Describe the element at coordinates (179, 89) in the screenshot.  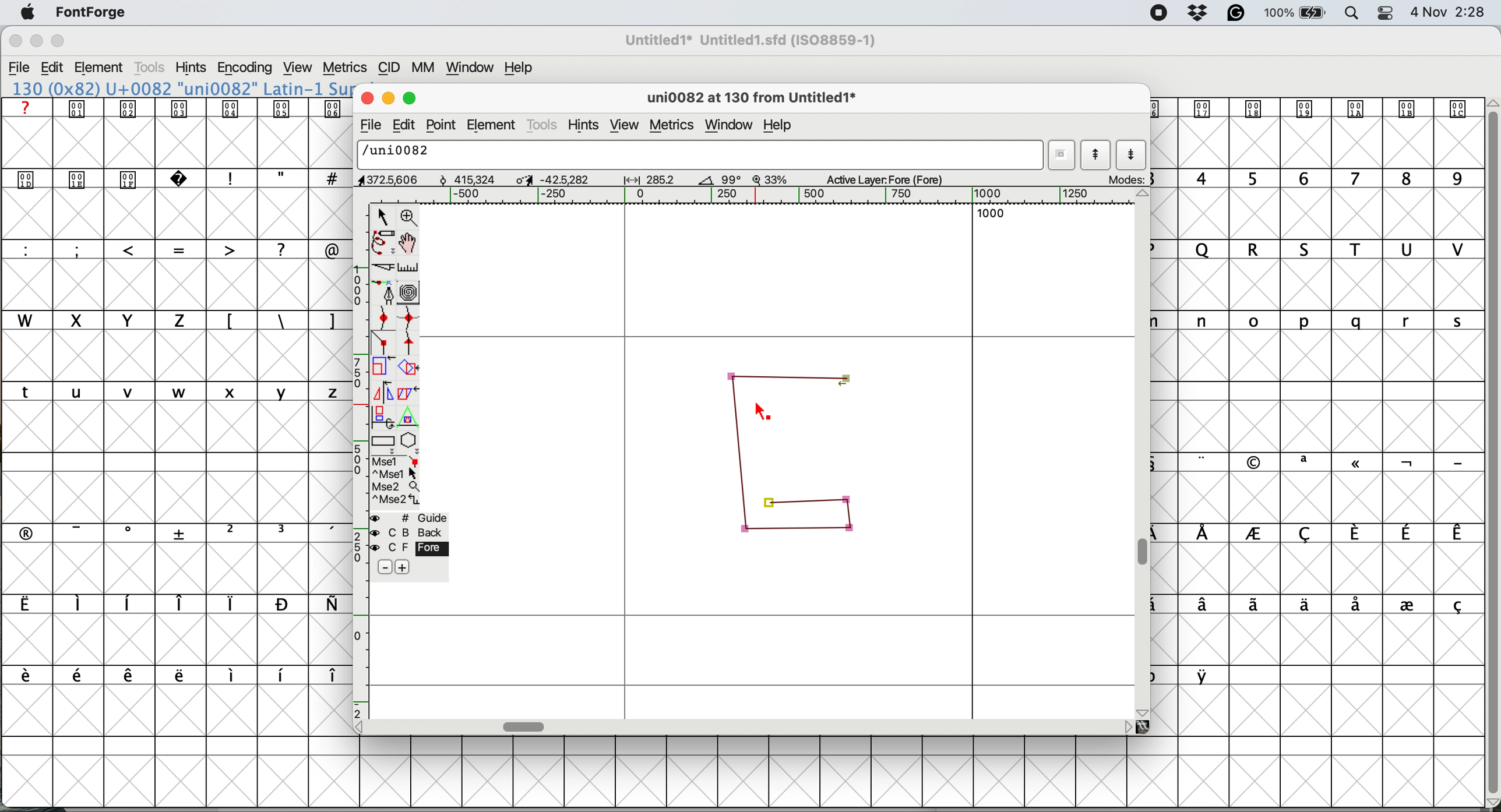
I see `font name` at that location.